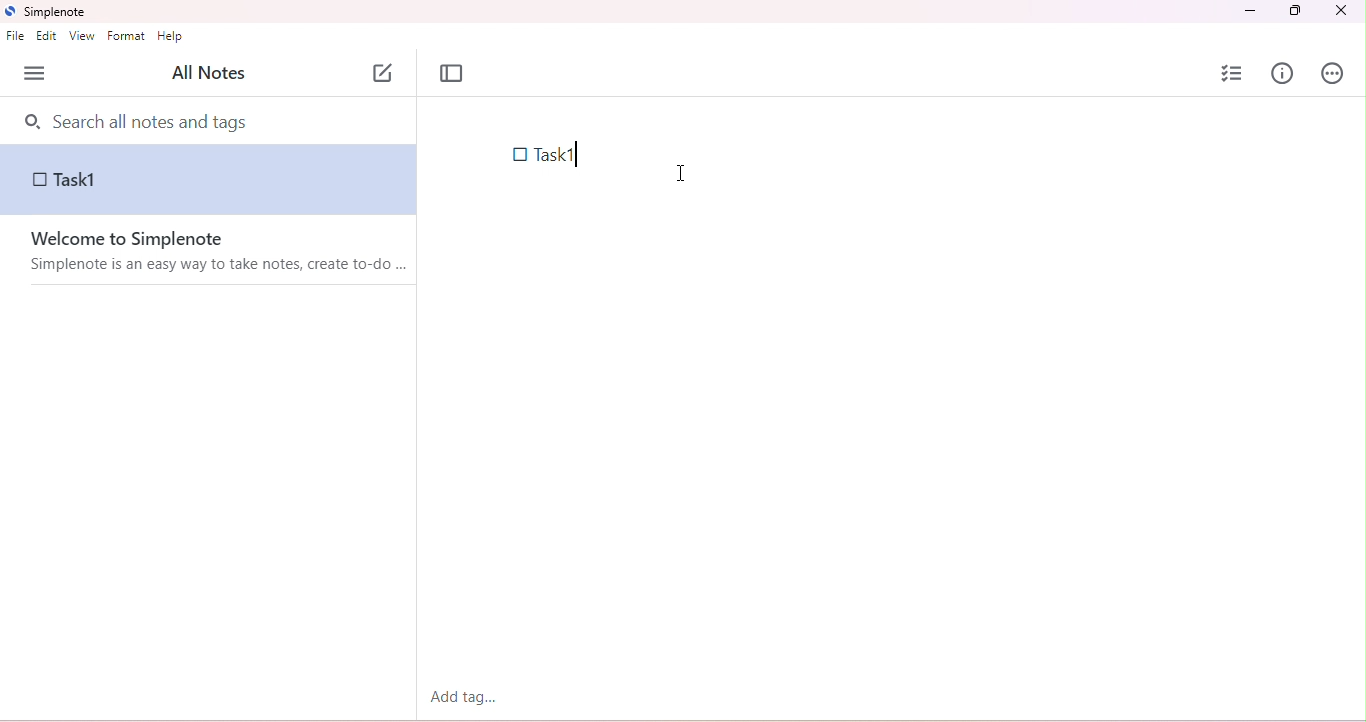 Image resolution: width=1366 pixels, height=722 pixels. What do you see at coordinates (81, 37) in the screenshot?
I see `view` at bounding box center [81, 37].